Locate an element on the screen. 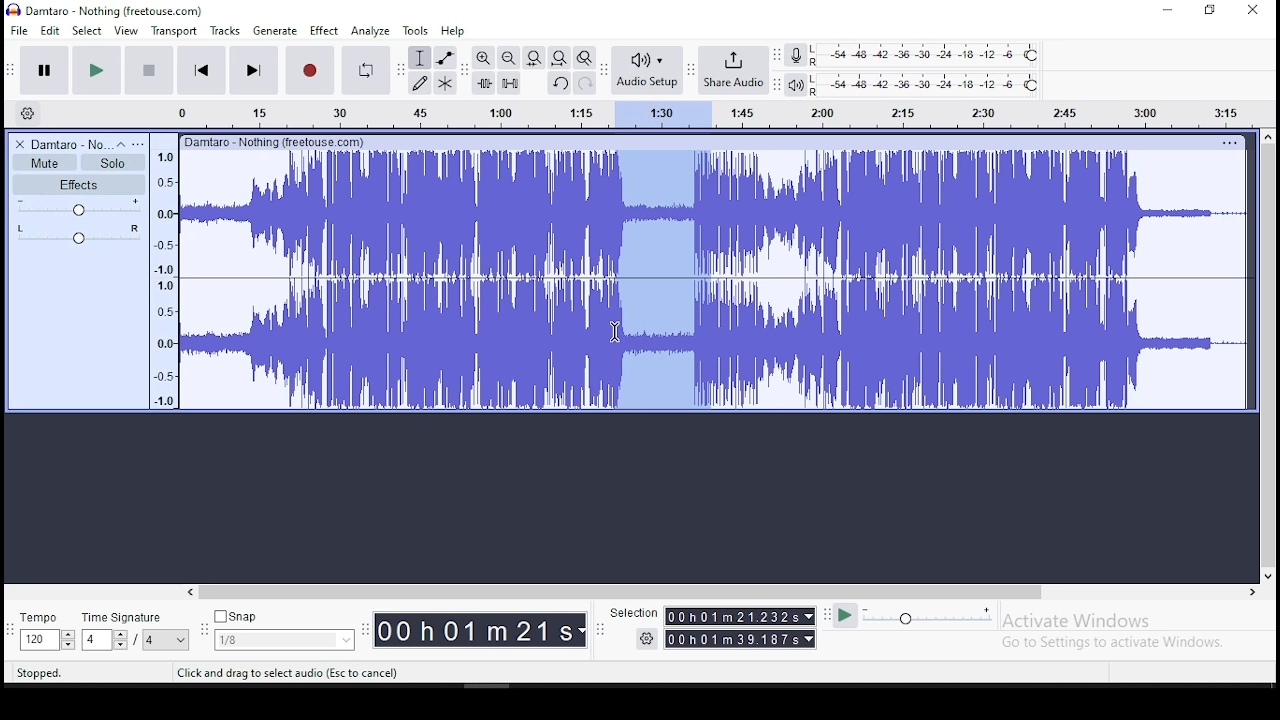 This screenshot has height=720, width=1280. drop down is located at coordinates (811, 639).